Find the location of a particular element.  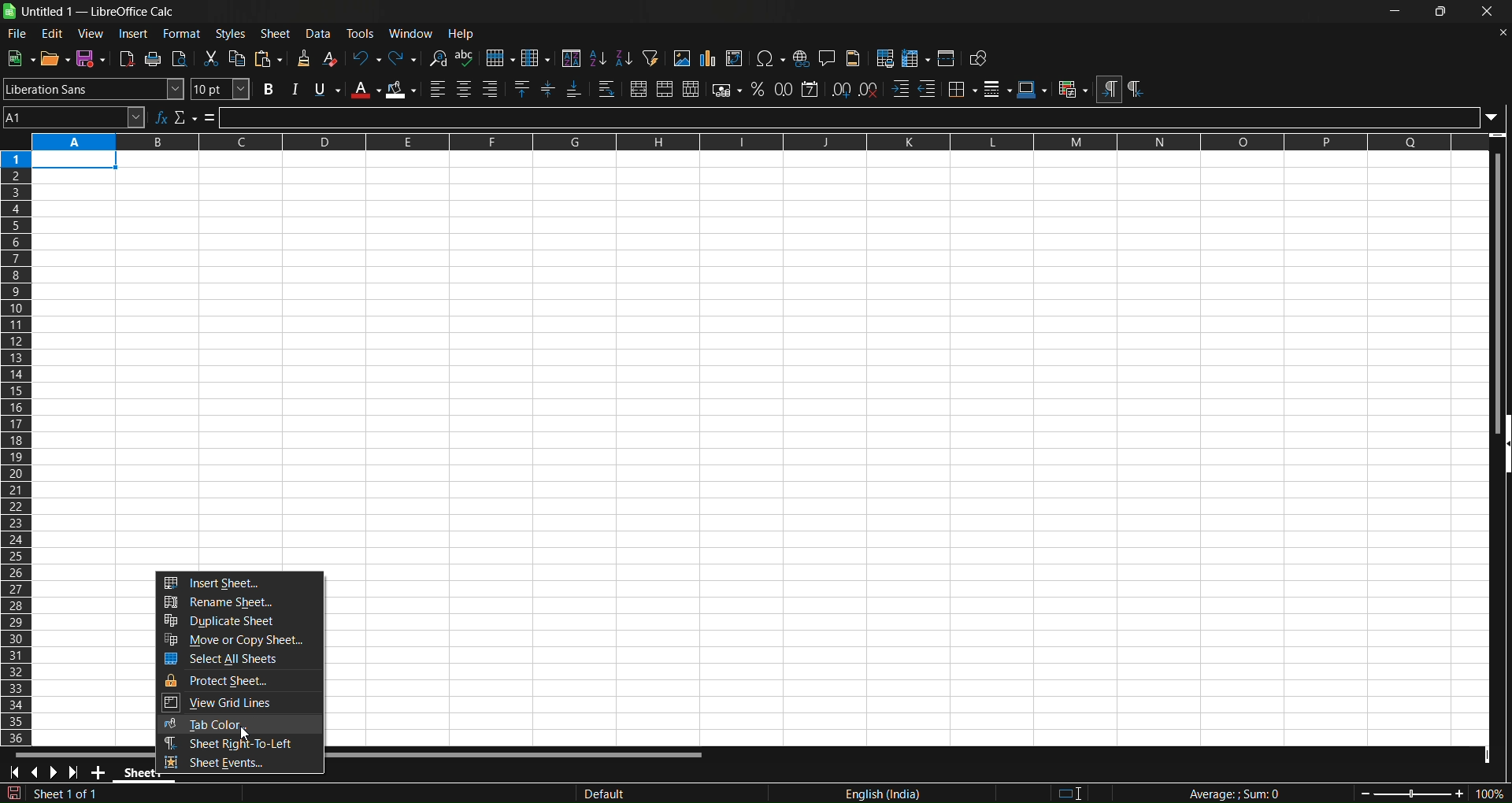

format as date is located at coordinates (811, 89).